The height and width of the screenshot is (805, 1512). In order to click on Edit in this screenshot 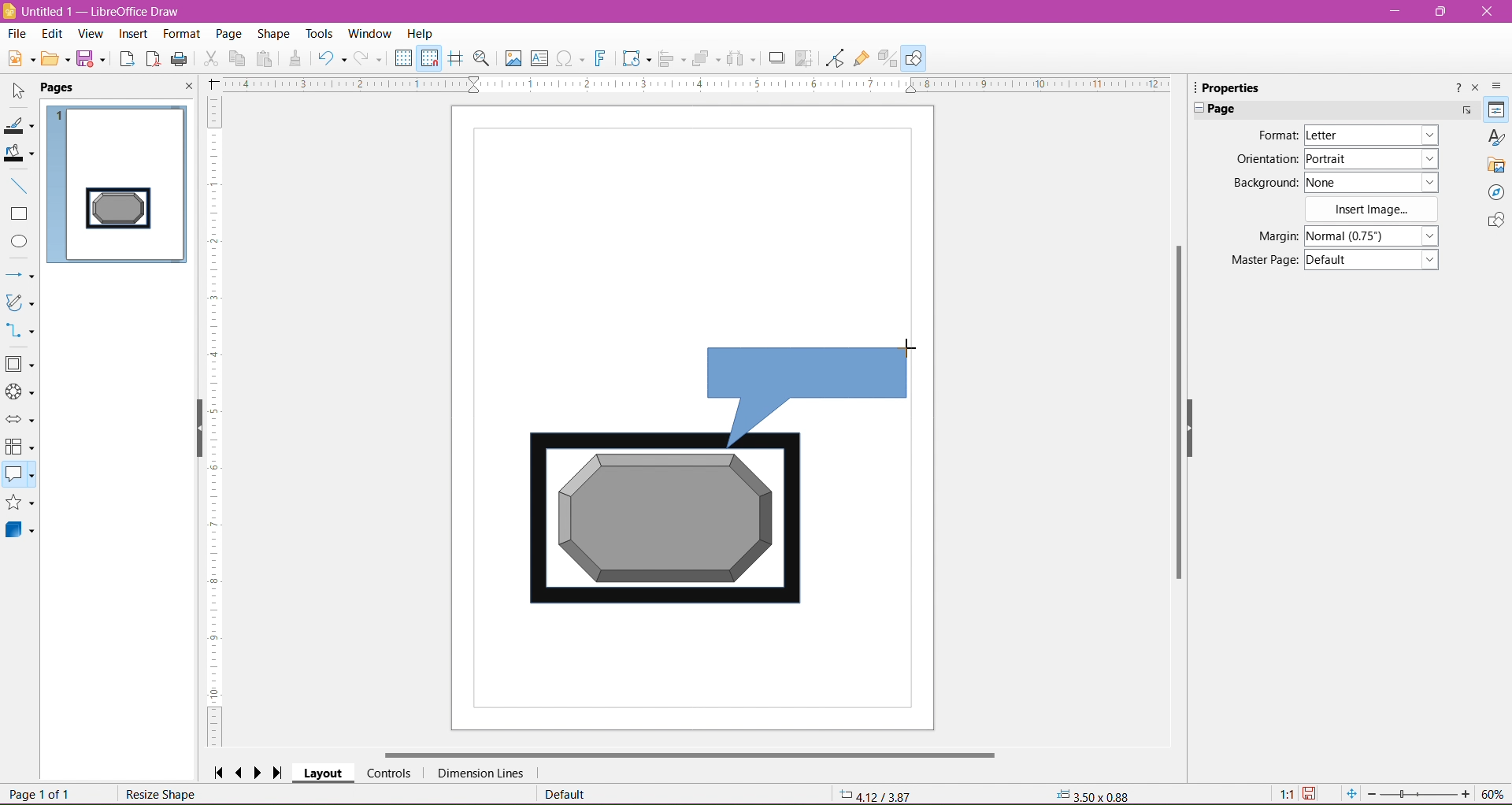, I will do `click(52, 34)`.